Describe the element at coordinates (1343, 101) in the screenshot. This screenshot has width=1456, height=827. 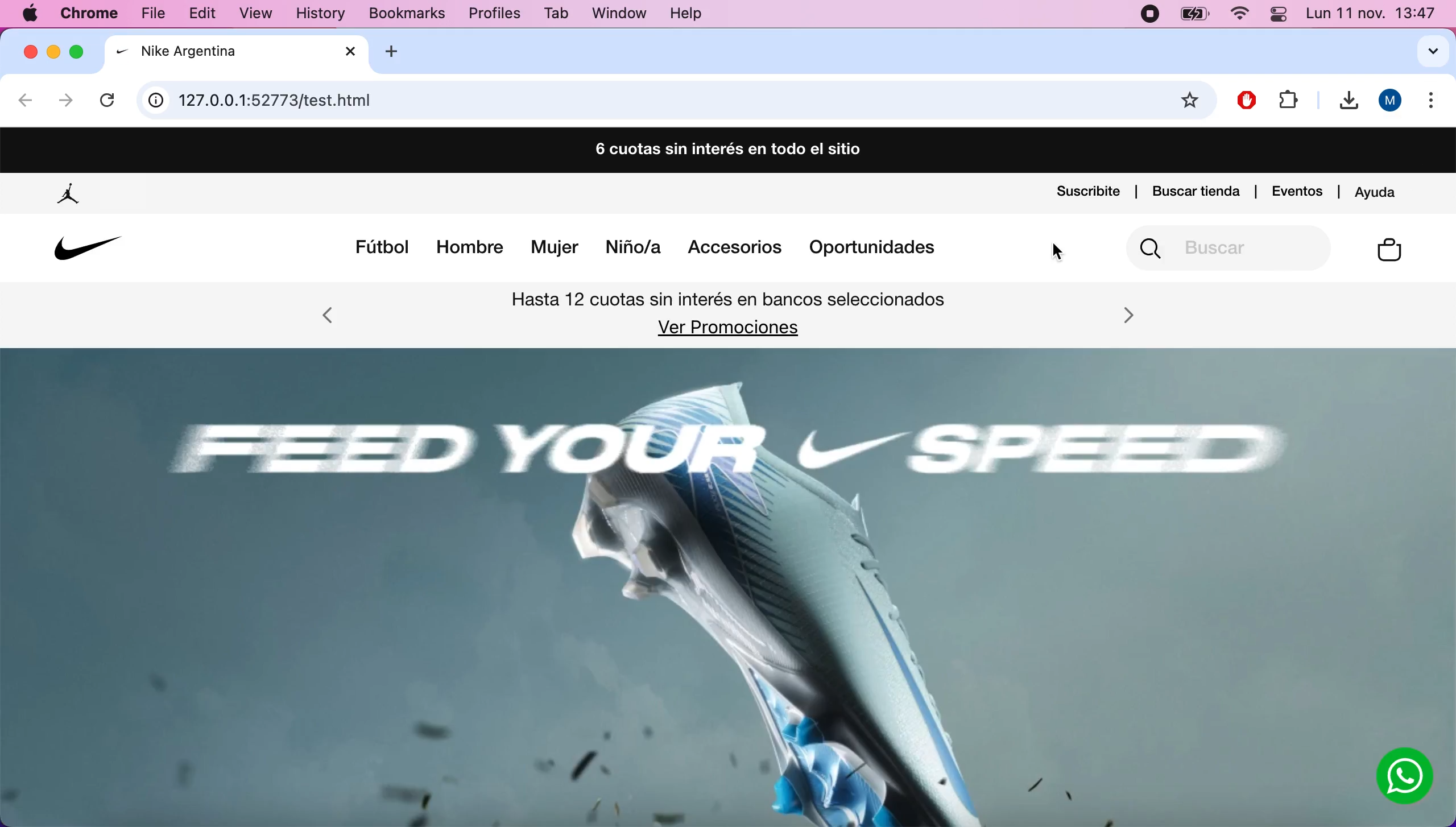
I see `downloads` at that location.